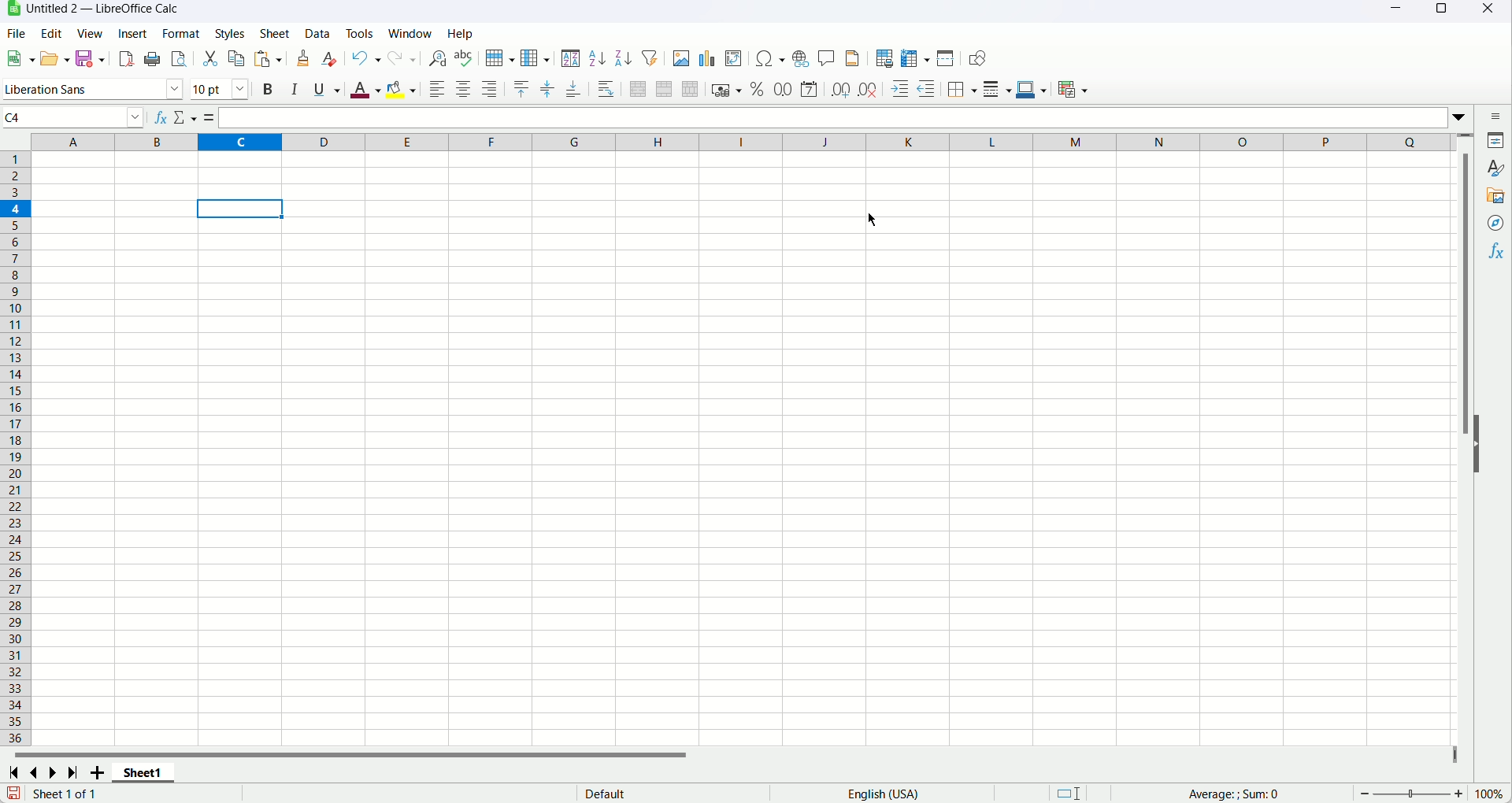  What do you see at coordinates (946, 58) in the screenshot?
I see `Split window` at bounding box center [946, 58].